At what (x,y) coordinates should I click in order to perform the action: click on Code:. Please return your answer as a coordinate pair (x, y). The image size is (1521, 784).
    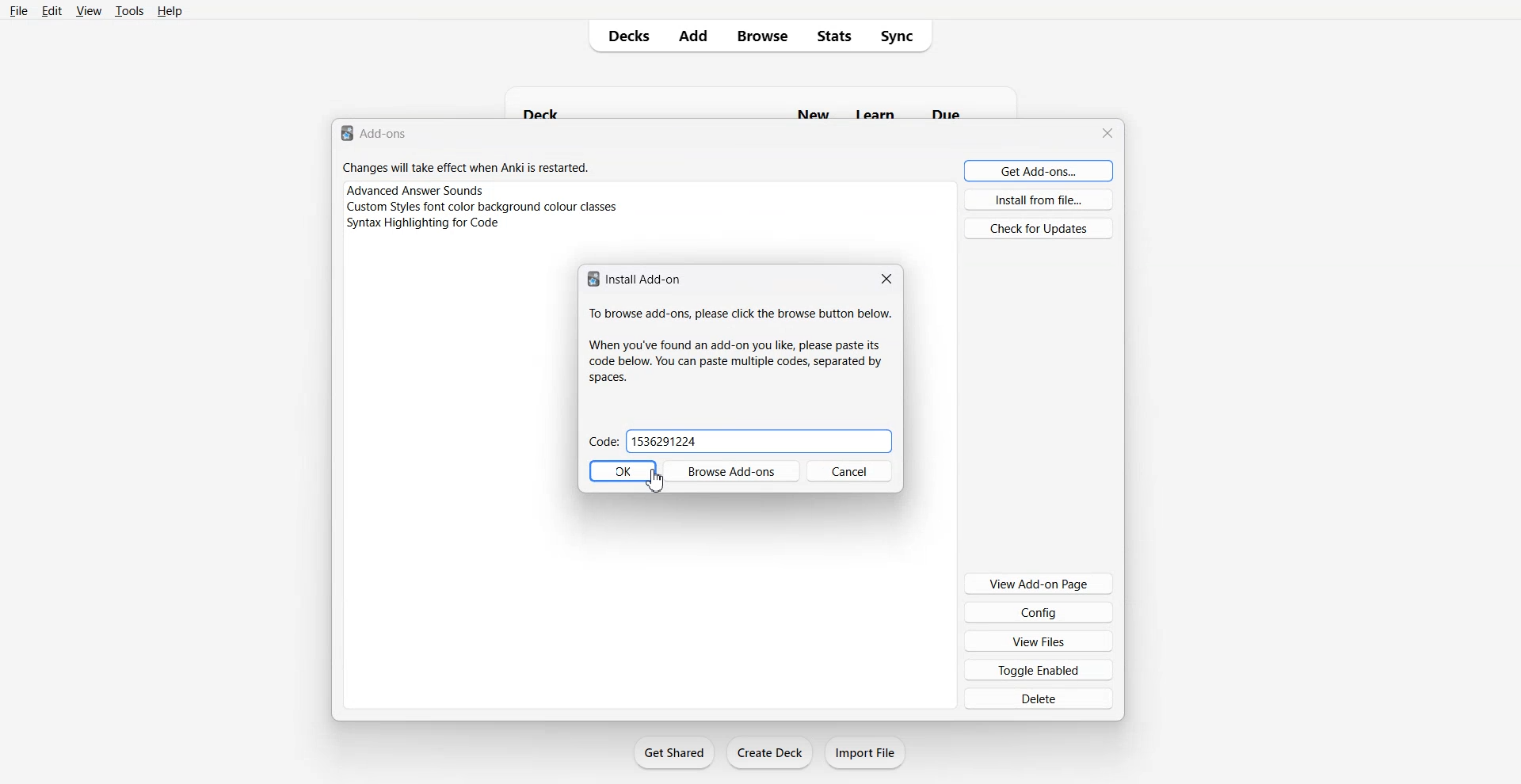
    Looking at the image, I should click on (603, 442).